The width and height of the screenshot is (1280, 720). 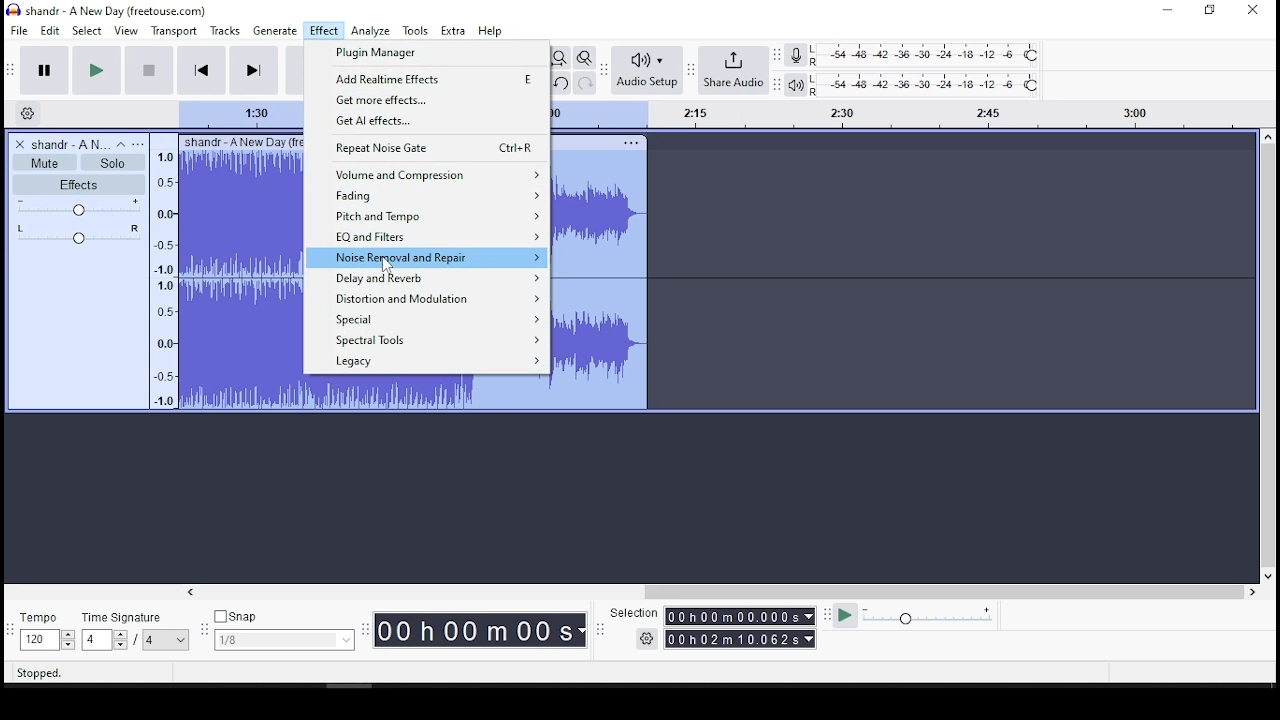 What do you see at coordinates (43, 673) in the screenshot?
I see `Stopped` at bounding box center [43, 673].